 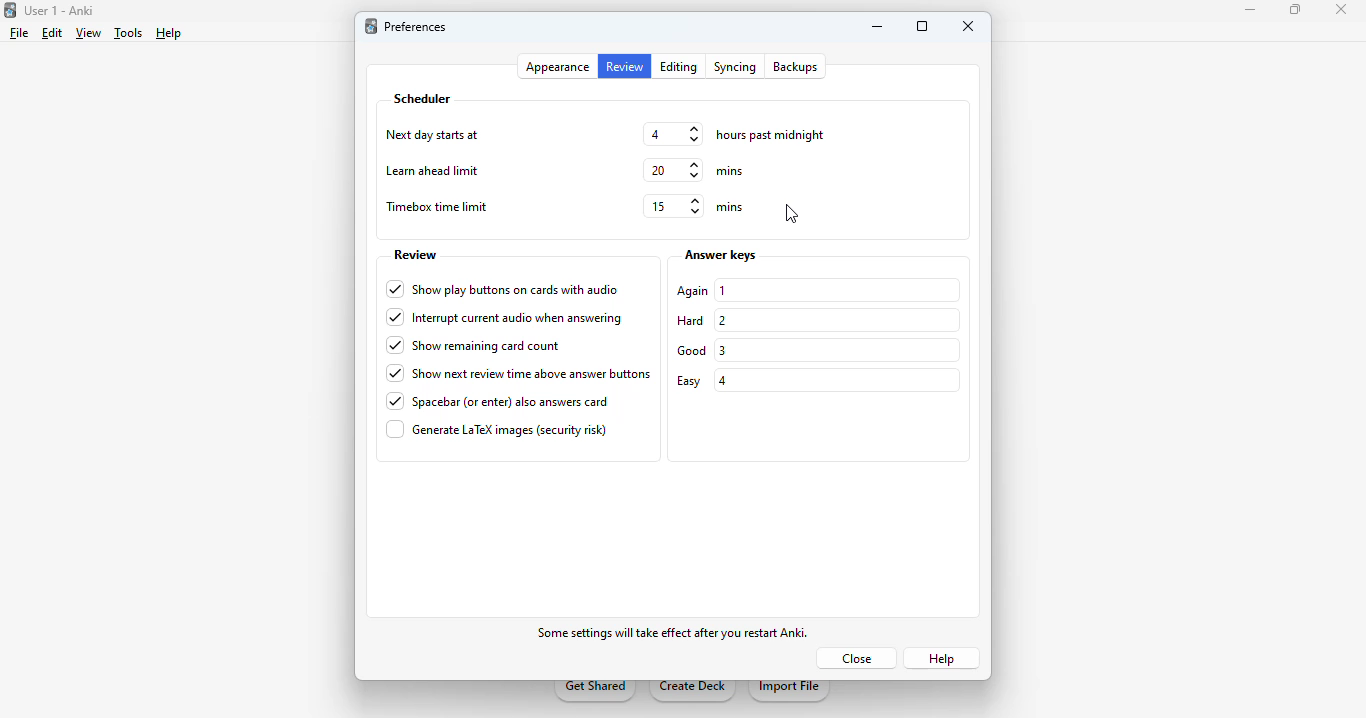 I want to click on review, so click(x=415, y=256).